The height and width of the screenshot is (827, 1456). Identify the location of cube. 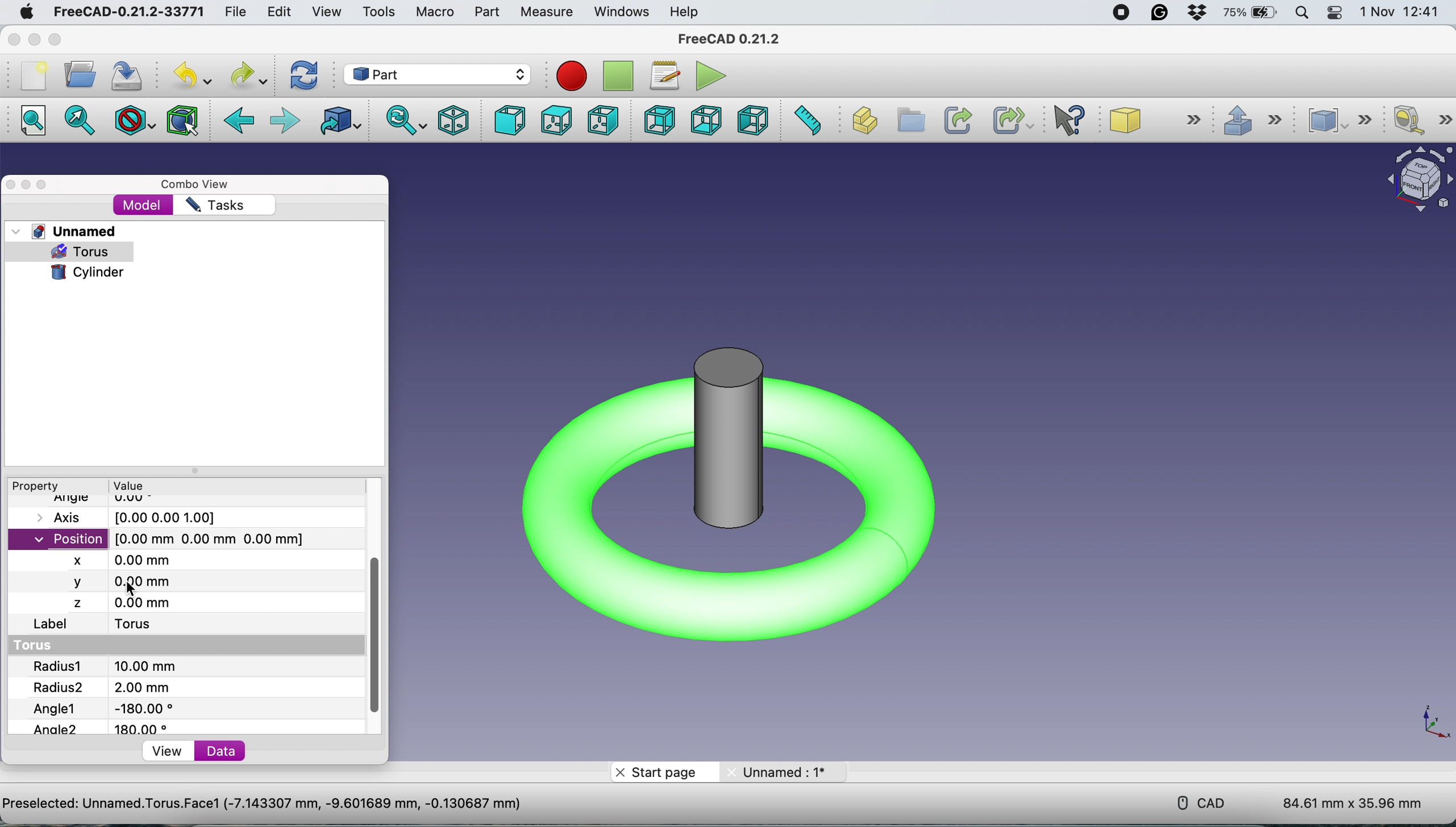
(1157, 120).